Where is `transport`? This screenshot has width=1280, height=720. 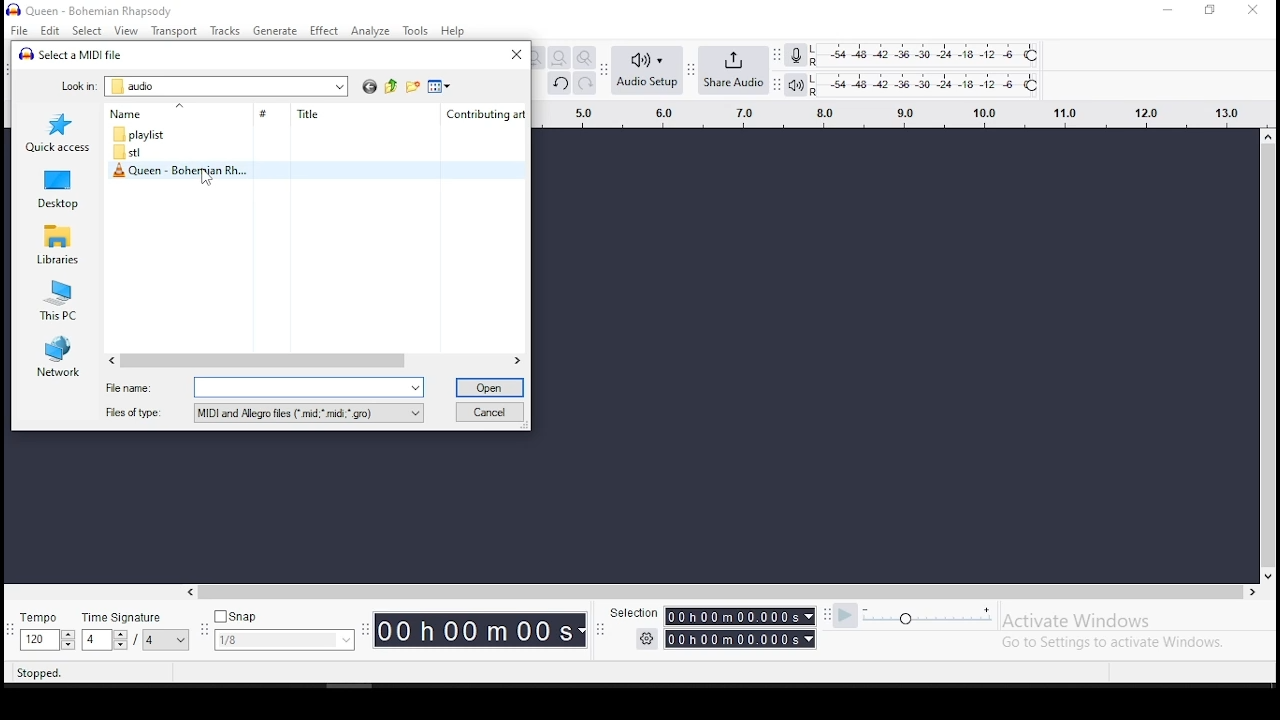
transport is located at coordinates (173, 30).